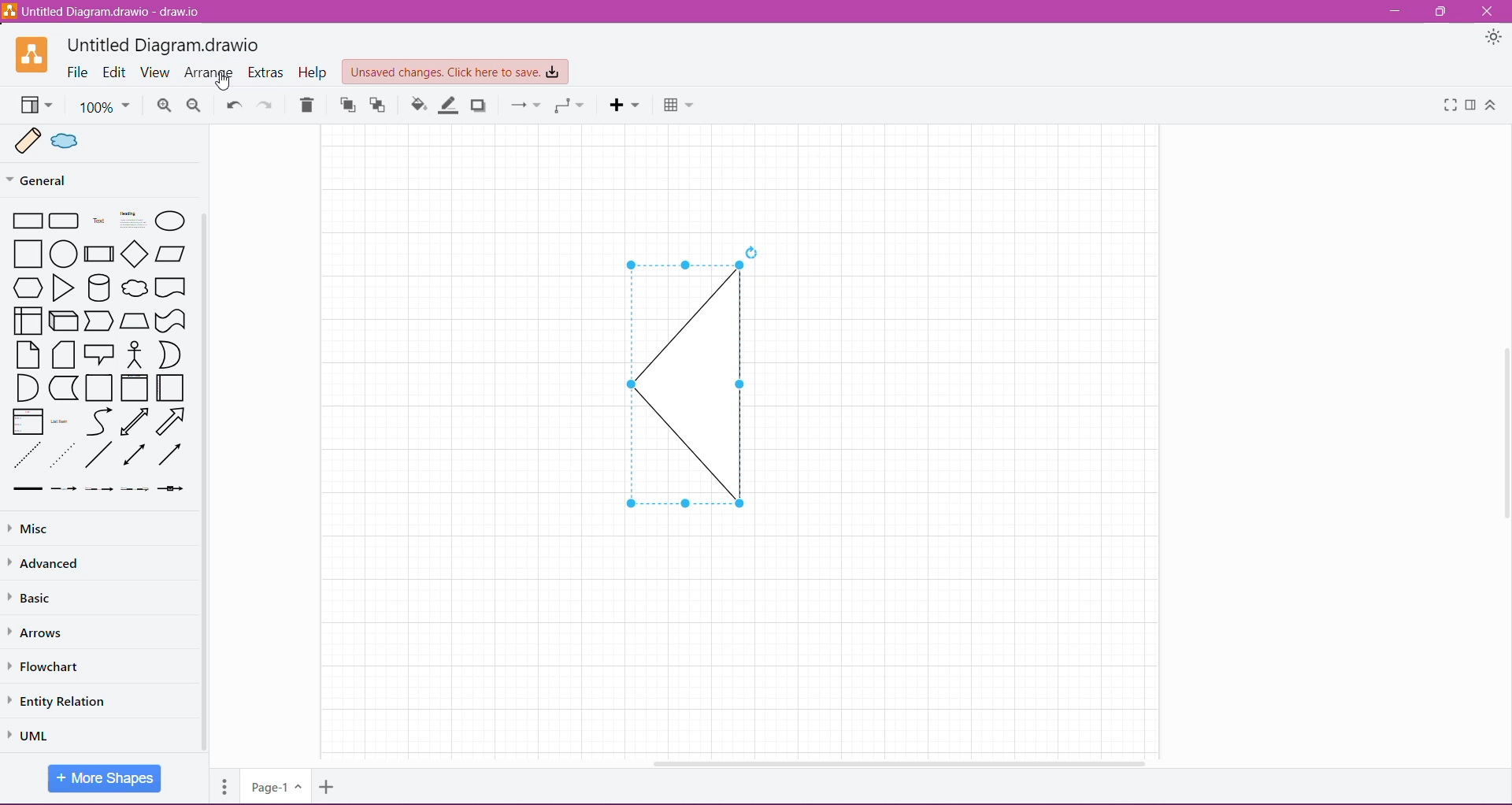 Image resolution: width=1512 pixels, height=805 pixels. I want to click on Edit, so click(115, 72).